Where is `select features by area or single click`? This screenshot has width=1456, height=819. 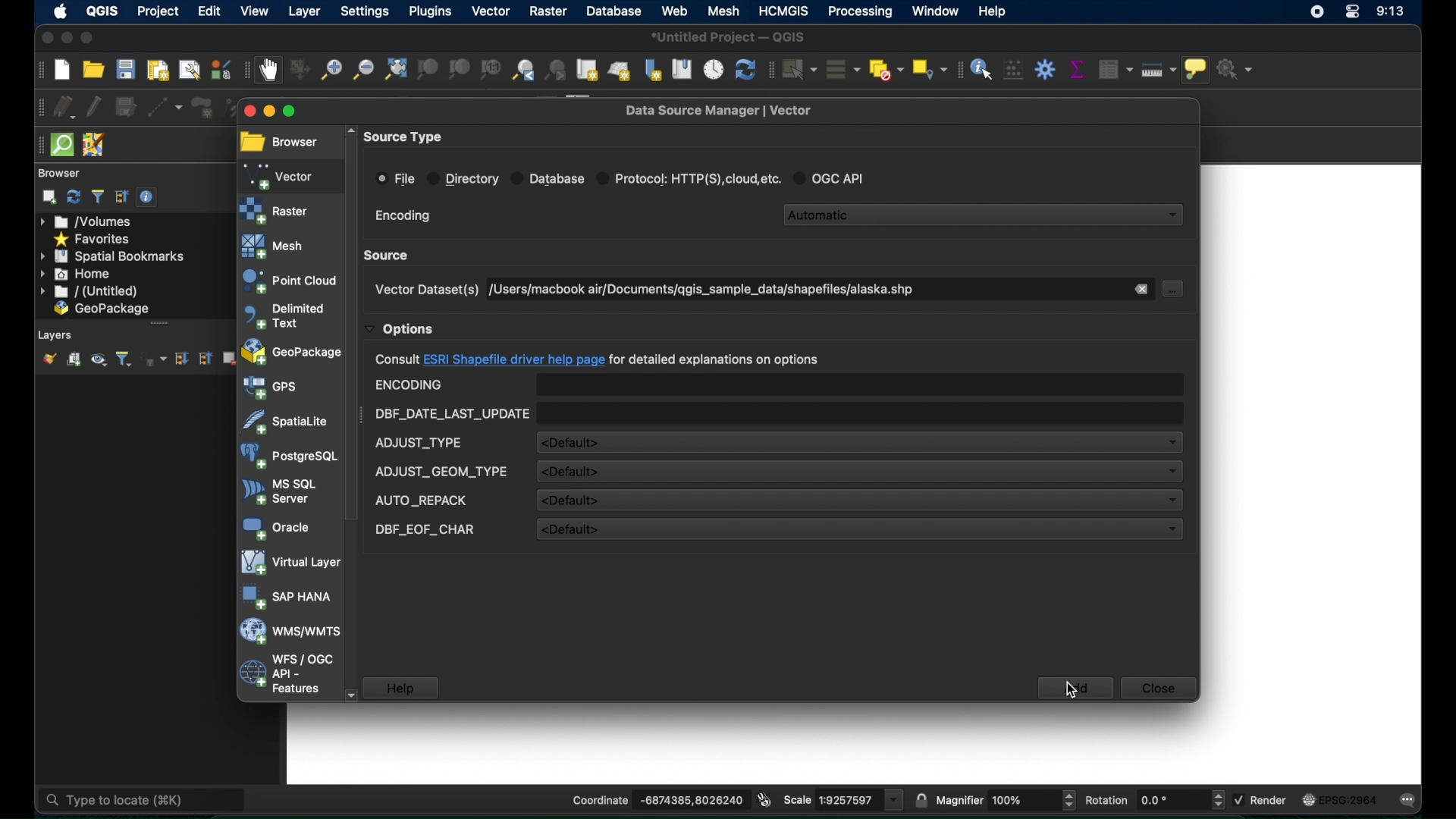 select features by area or single click is located at coordinates (800, 67).